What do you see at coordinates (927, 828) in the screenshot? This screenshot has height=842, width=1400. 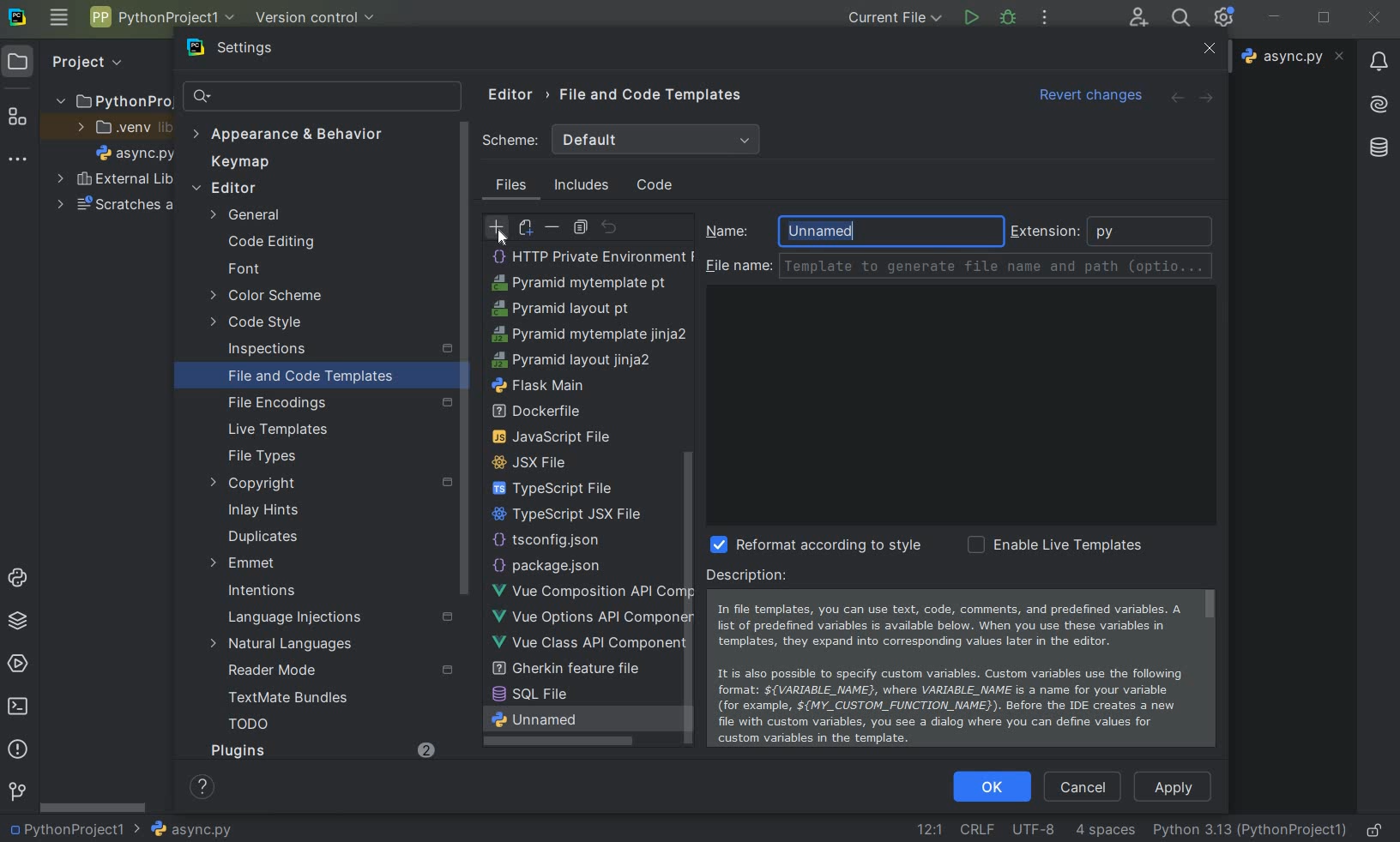 I see `go to line` at bounding box center [927, 828].